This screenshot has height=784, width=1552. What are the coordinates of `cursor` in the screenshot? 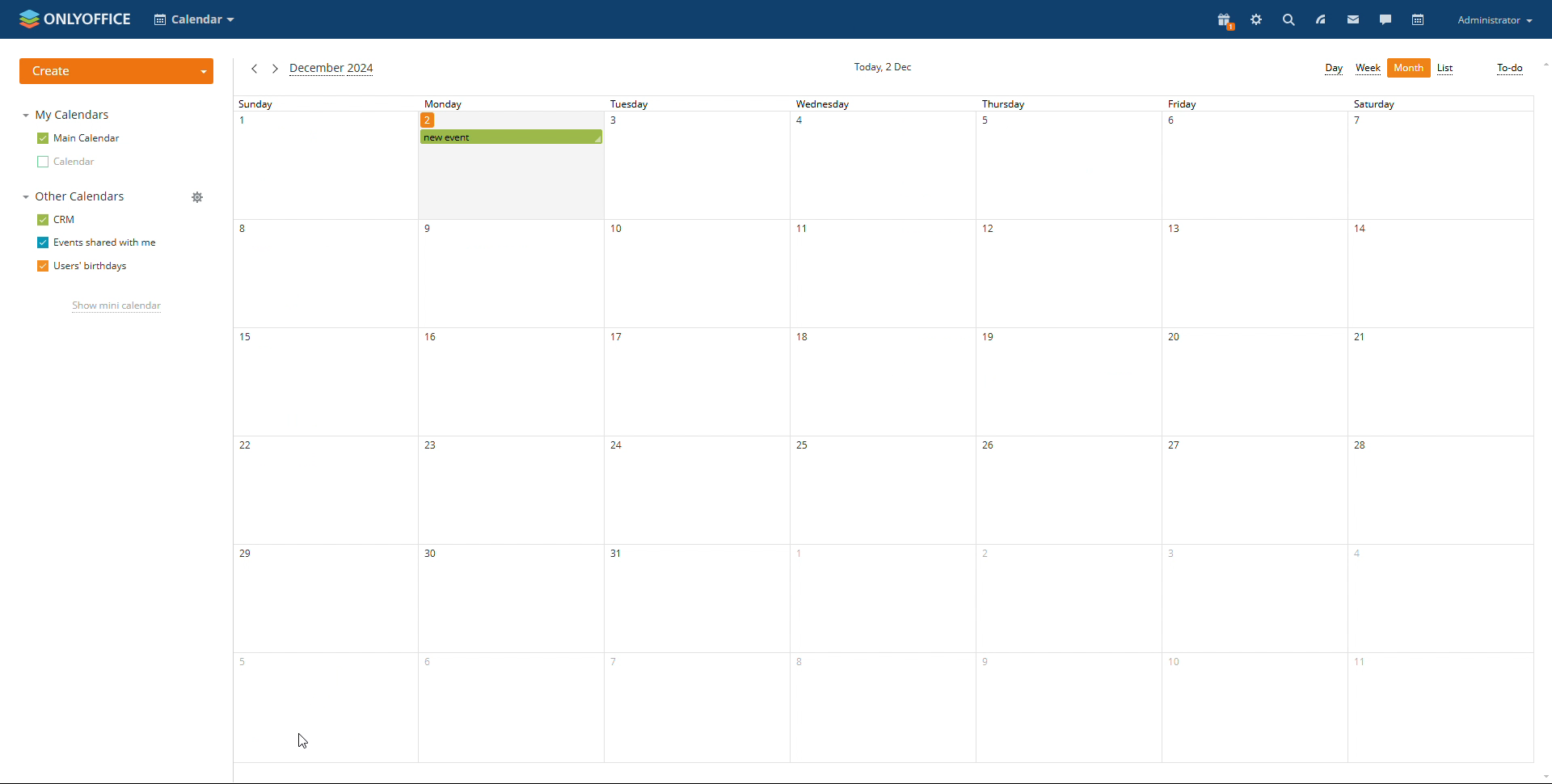 It's located at (302, 742).